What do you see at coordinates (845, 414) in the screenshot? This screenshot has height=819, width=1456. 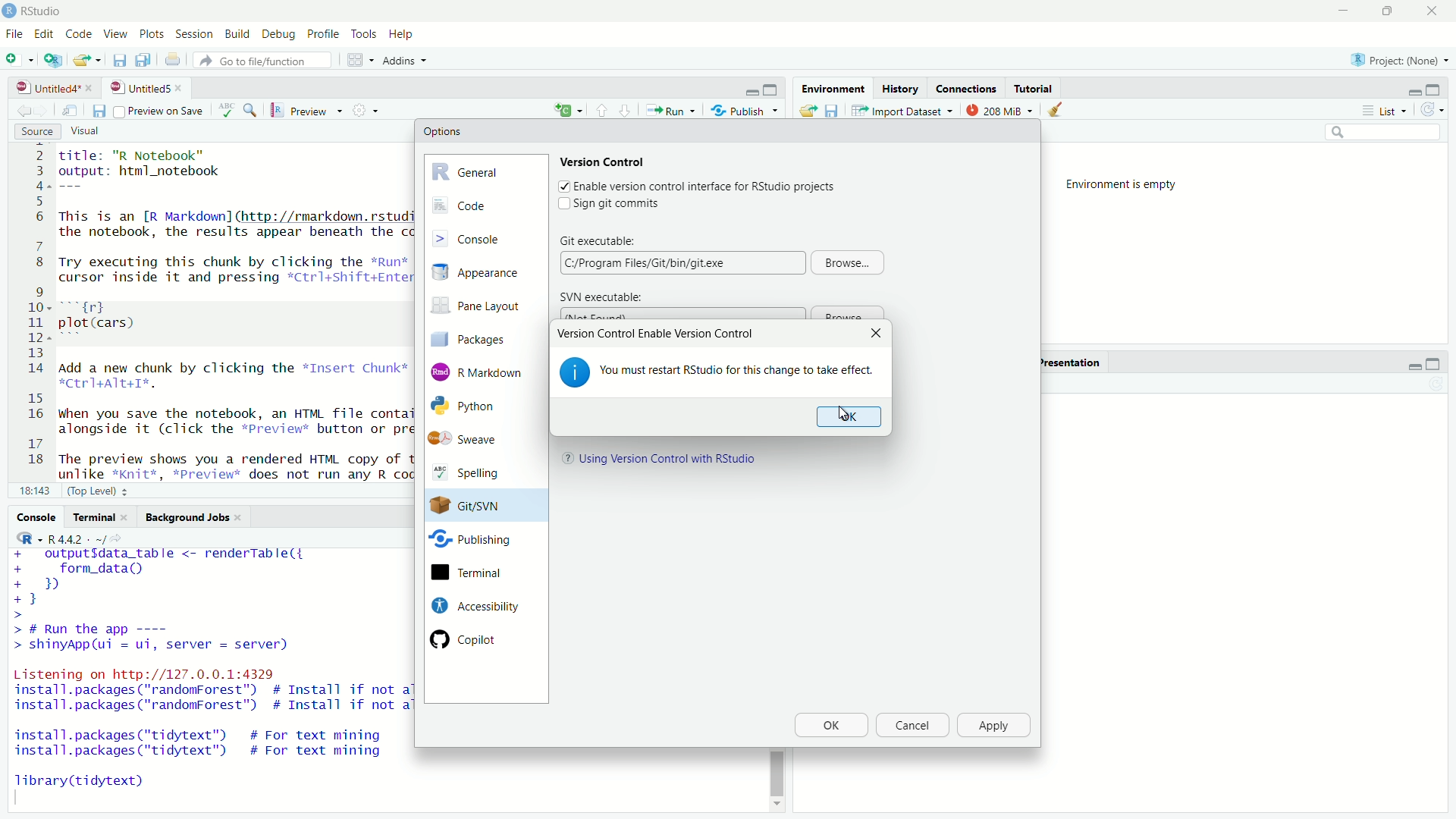 I see `cursor` at bounding box center [845, 414].